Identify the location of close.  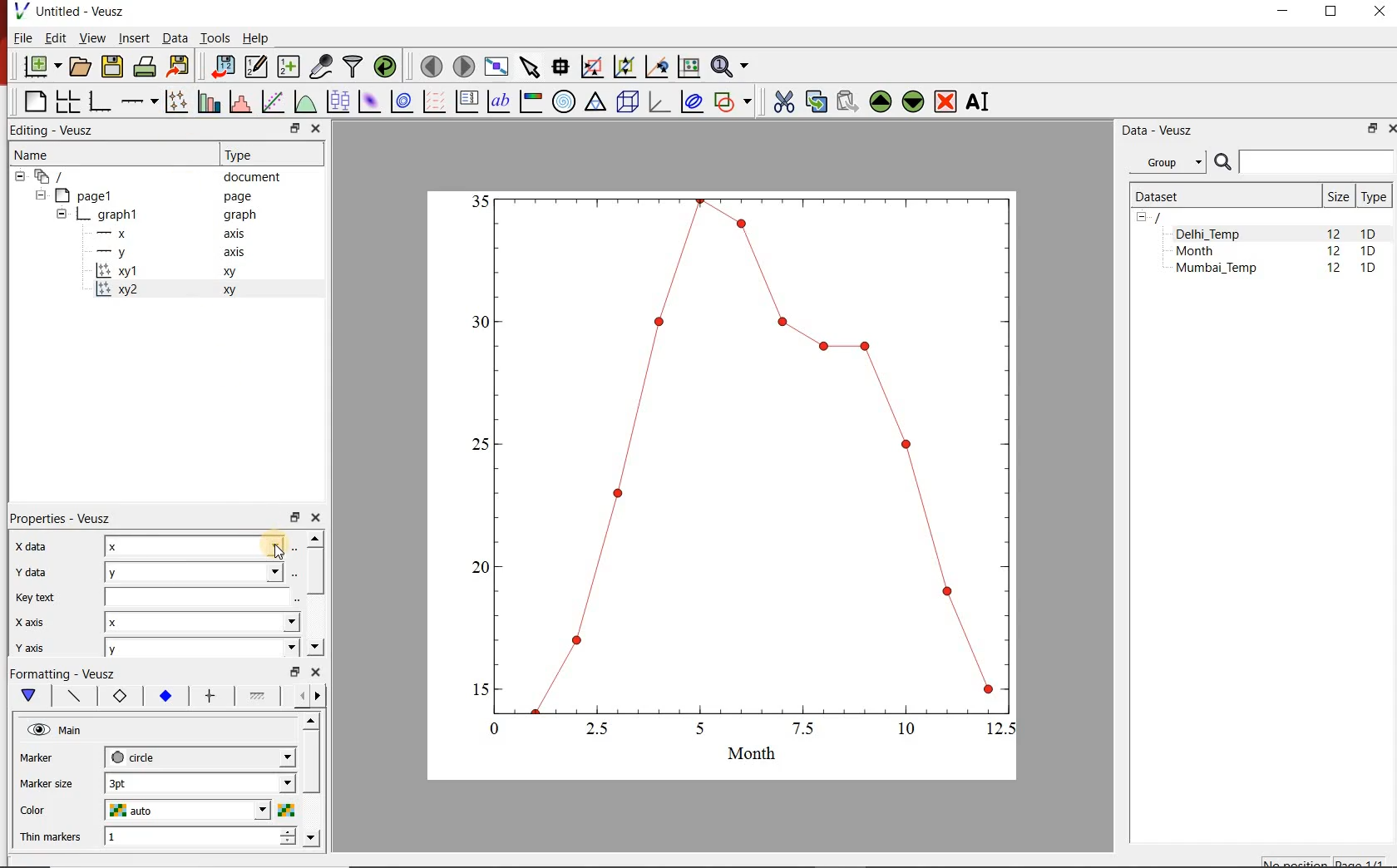
(314, 518).